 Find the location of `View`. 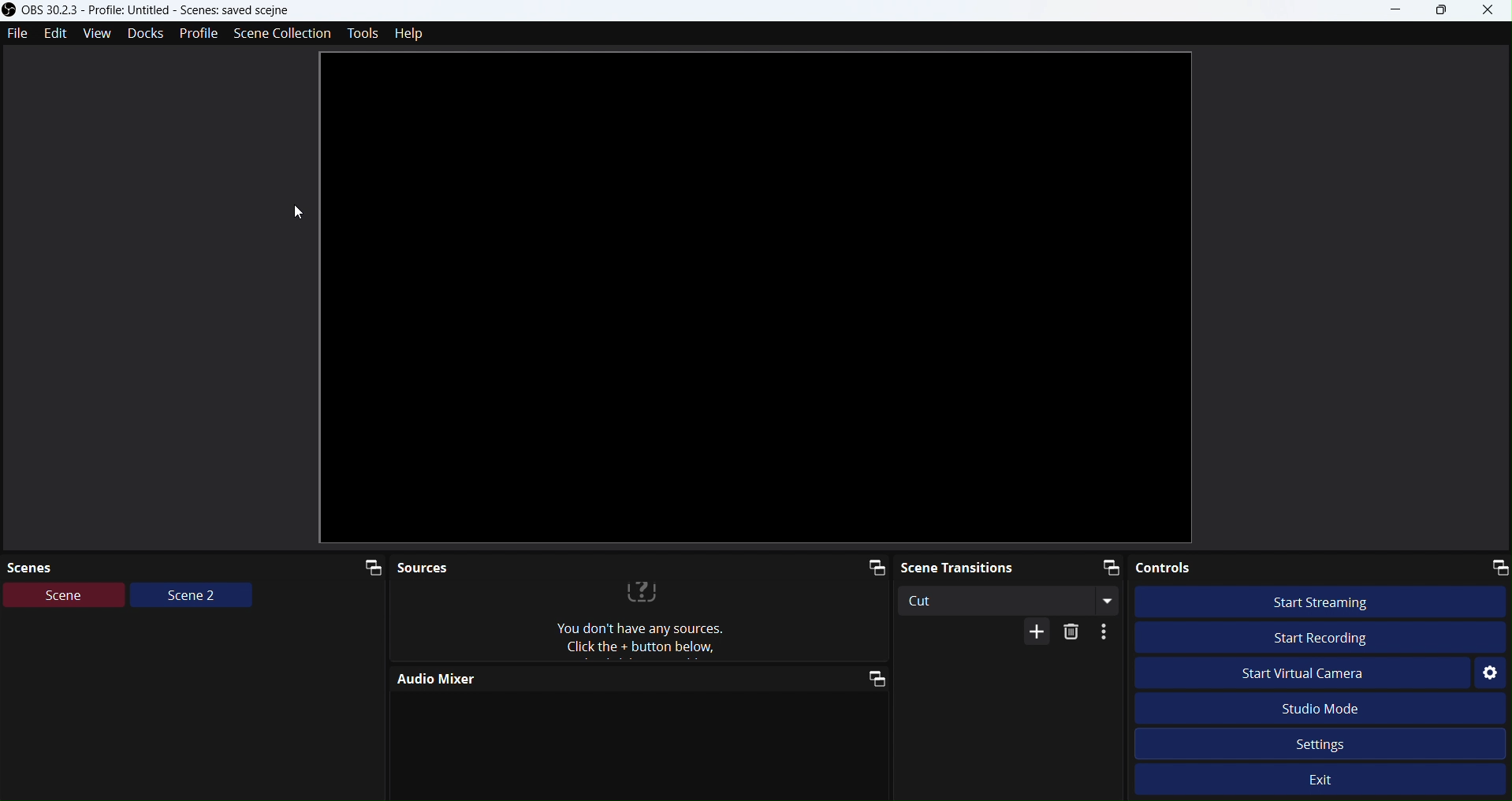

View is located at coordinates (101, 34).